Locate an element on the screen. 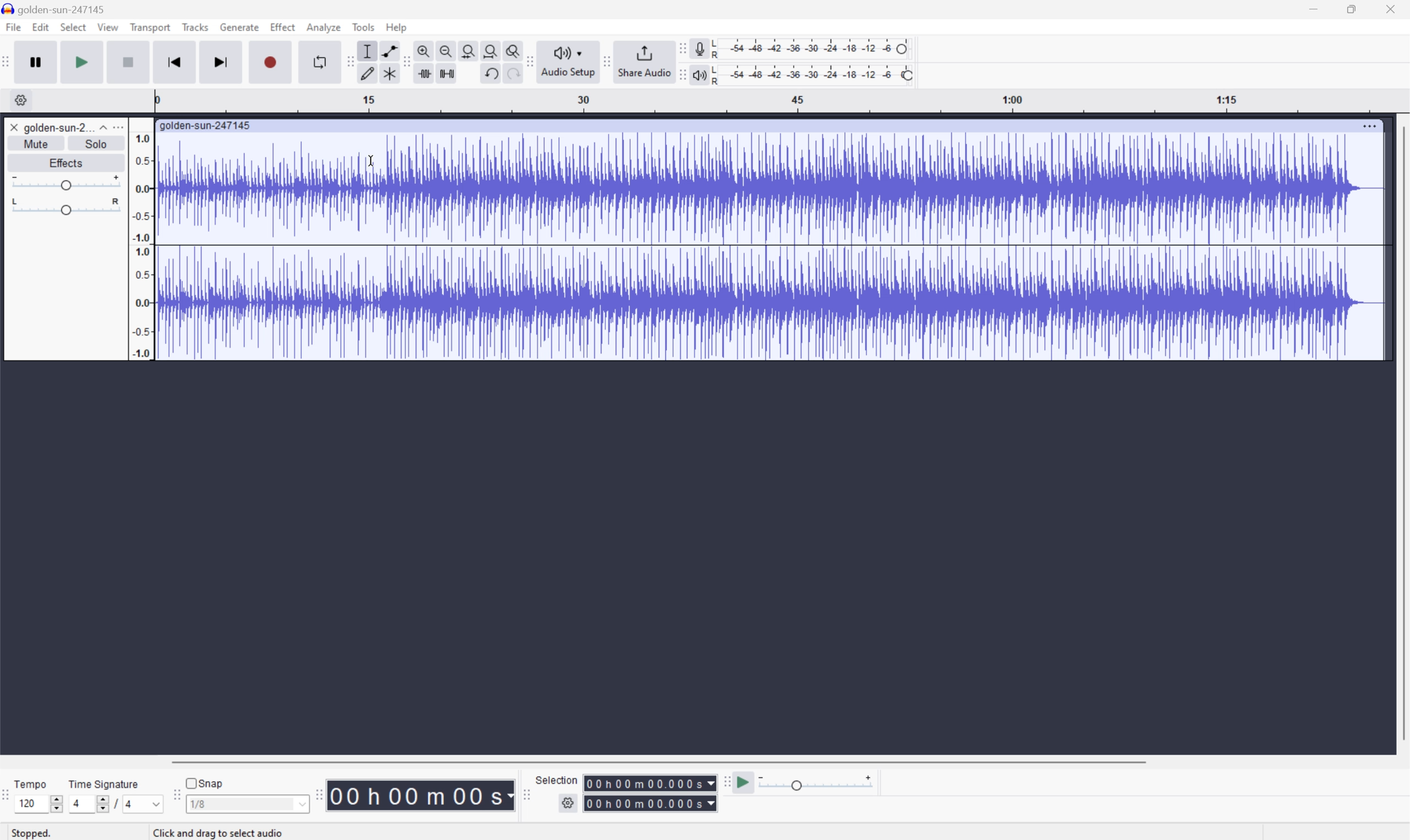 The height and width of the screenshot is (840, 1410). More is located at coordinates (1370, 123).